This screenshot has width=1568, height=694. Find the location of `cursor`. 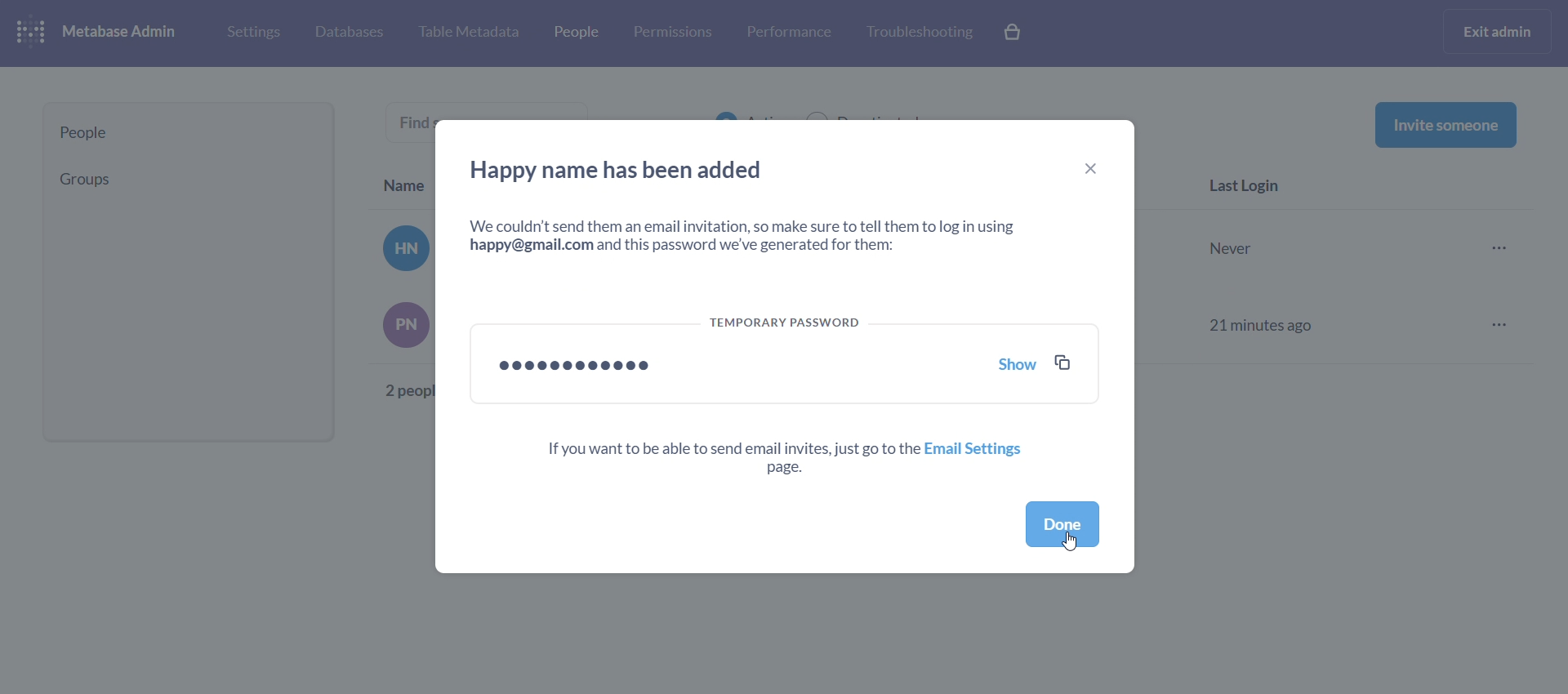

cursor is located at coordinates (1074, 541).